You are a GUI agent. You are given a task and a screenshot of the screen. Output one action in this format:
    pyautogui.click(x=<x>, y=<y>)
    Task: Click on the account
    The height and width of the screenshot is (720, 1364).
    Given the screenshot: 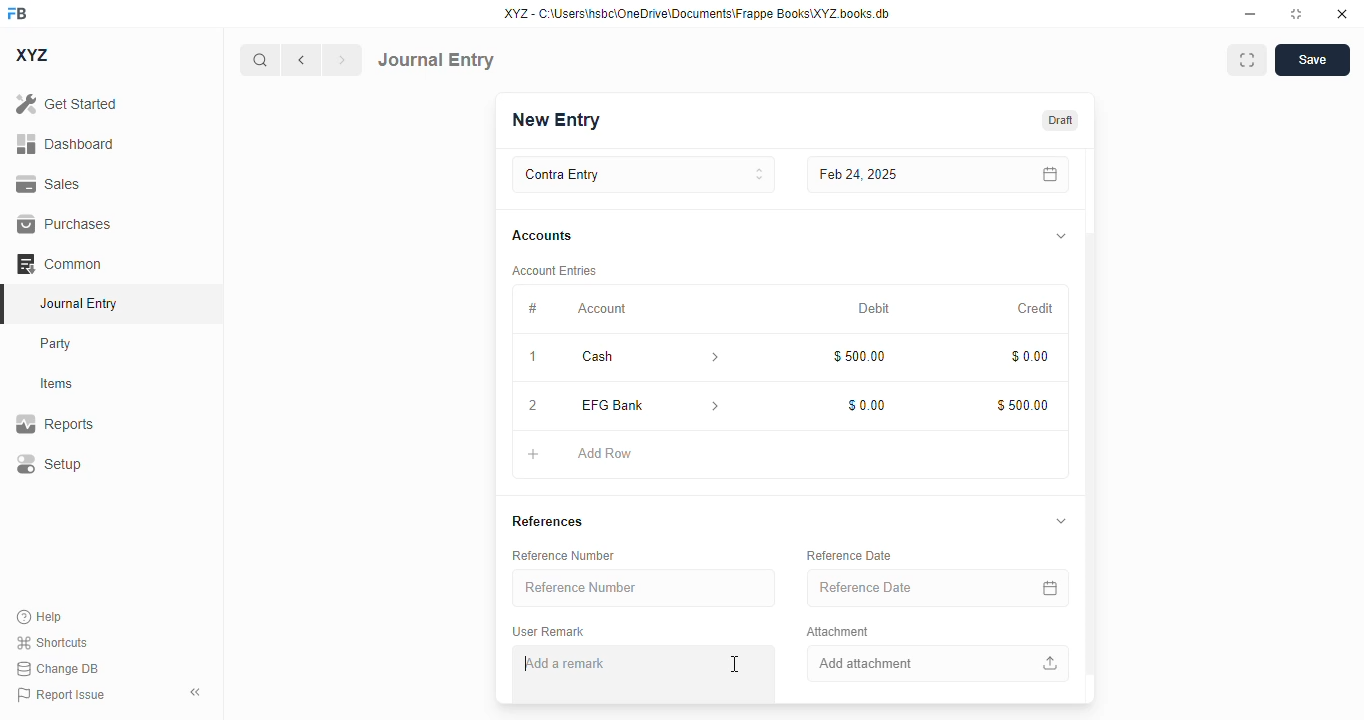 What is the action you would take?
    pyautogui.click(x=602, y=309)
    